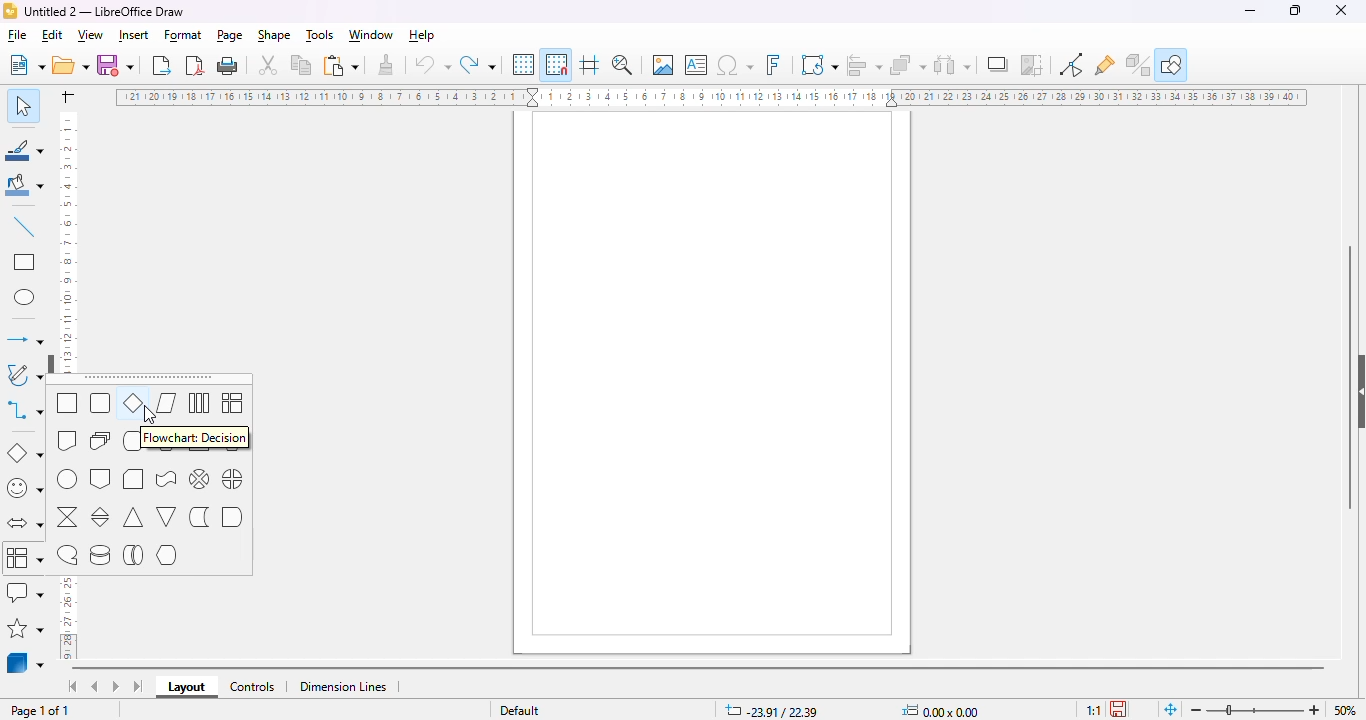  I want to click on flowchart: stored data, so click(199, 516).